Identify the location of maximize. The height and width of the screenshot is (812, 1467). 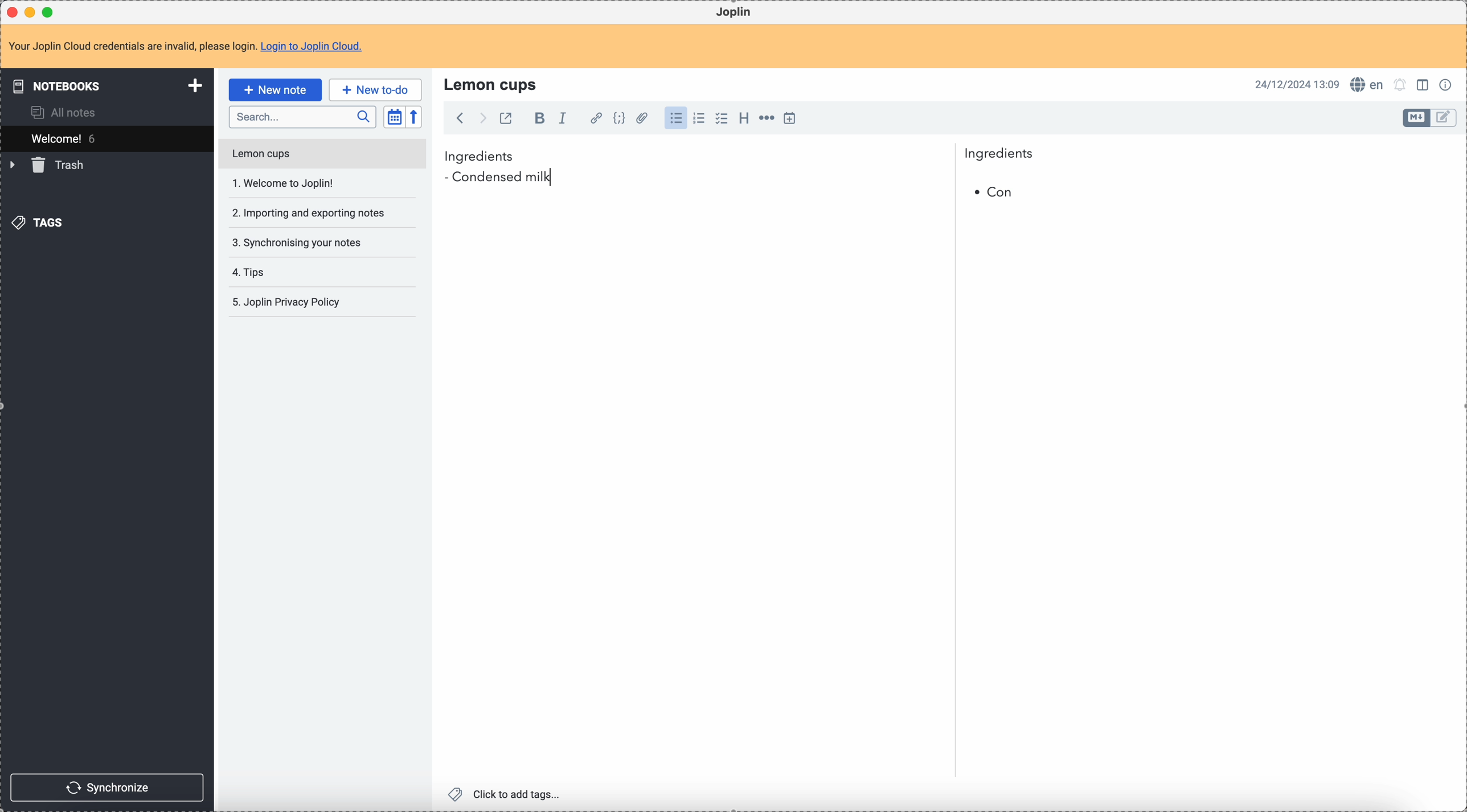
(51, 11).